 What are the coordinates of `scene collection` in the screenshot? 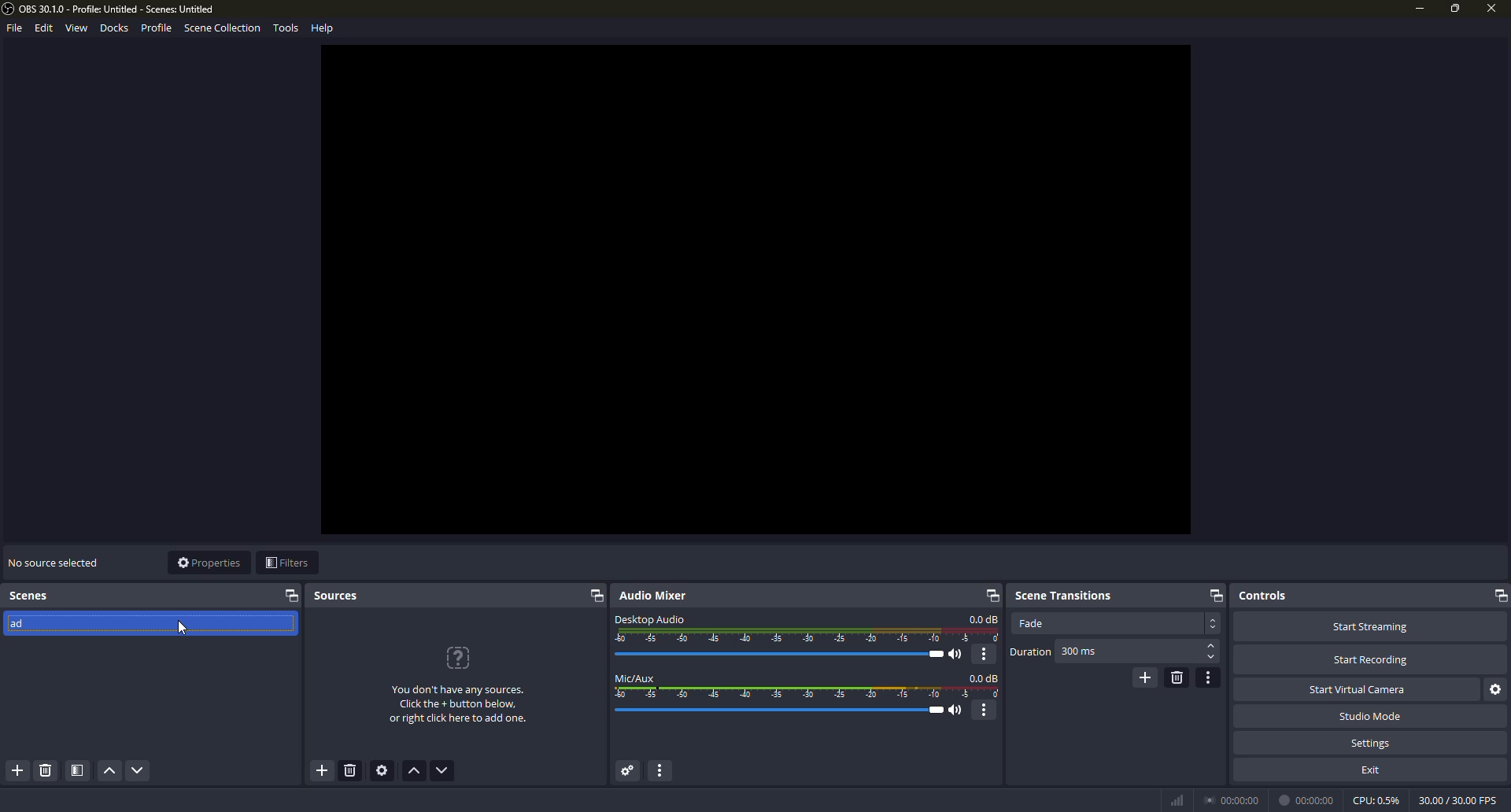 It's located at (222, 30).